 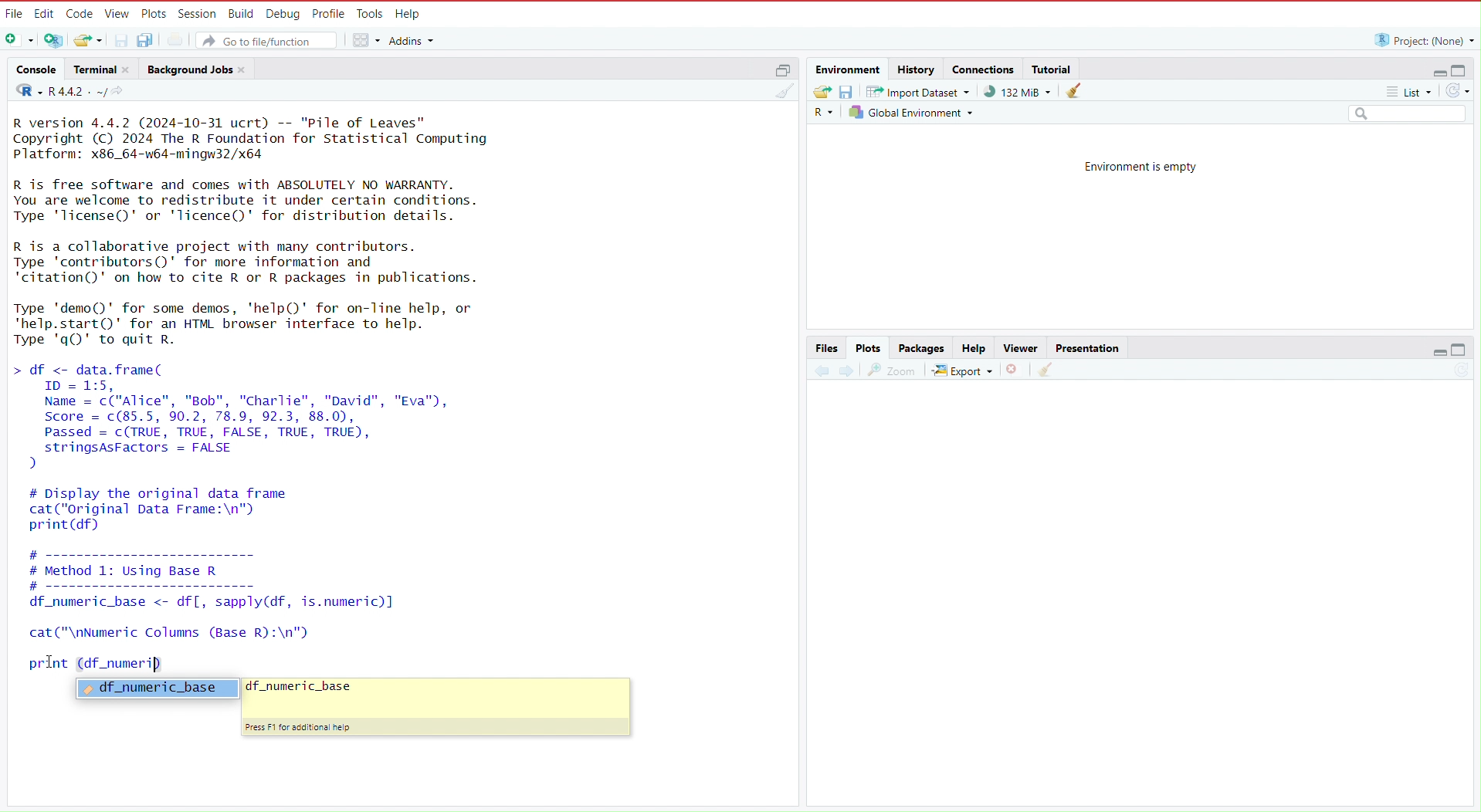 What do you see at coordinates (259, 137) in the screenshot?
I see `R version 4.4.2 (2024-10-31 ucrt) -- "Pile of Leaves"
Copyright (C) 2024 The R Foundation for Statistical Computing
Platform: x86_64-w64-mingw32/x64` at bounding box center [259, 137].